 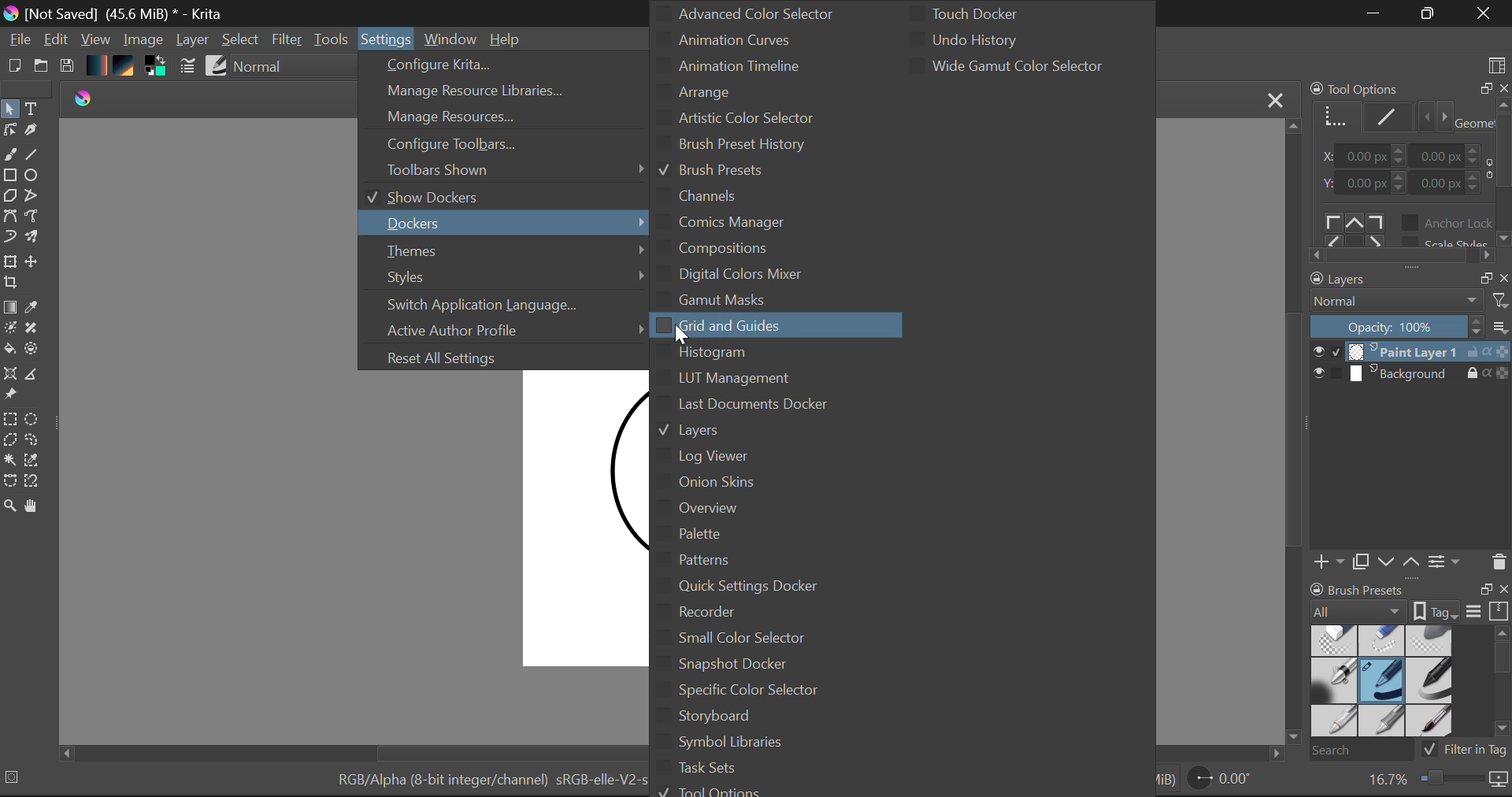 What do you see at coordinates (764, 745) in the screenshot?
I see `Symbol Libraries` at bounding box center [764, 745].